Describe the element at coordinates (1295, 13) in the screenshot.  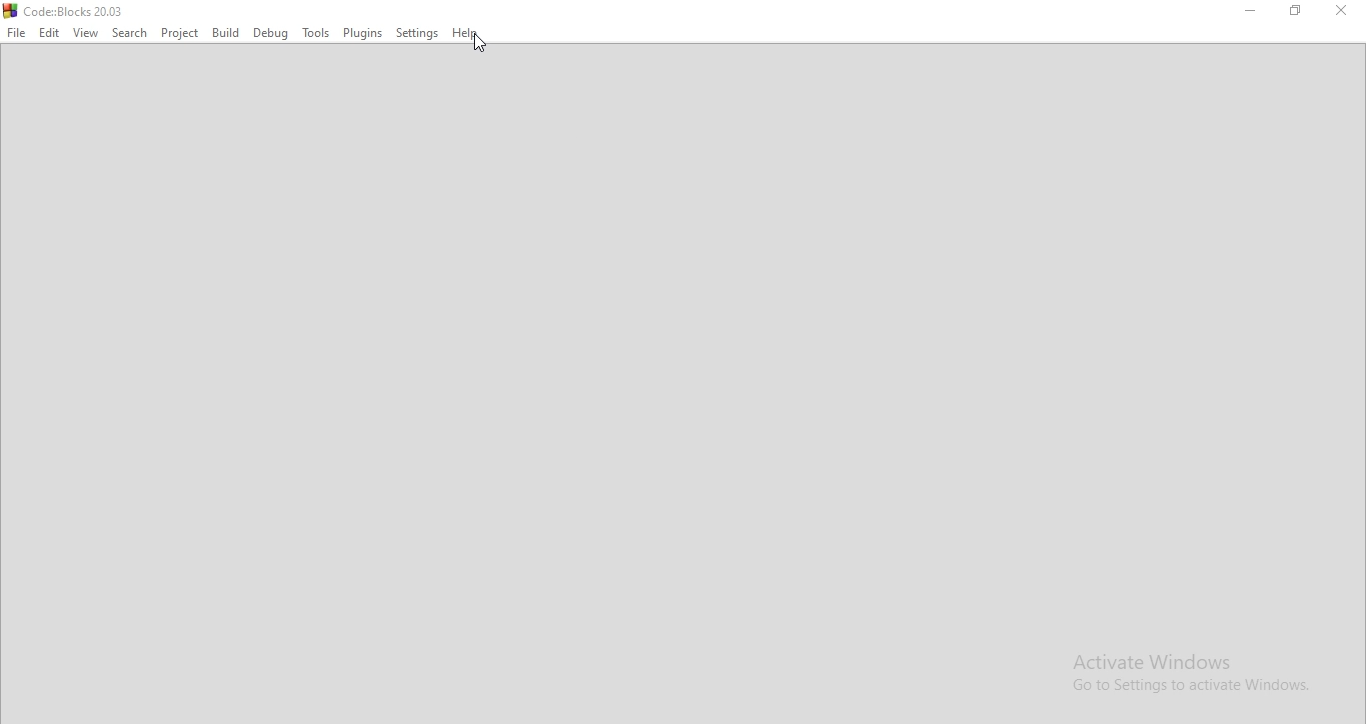
I see `Restore` at that location.